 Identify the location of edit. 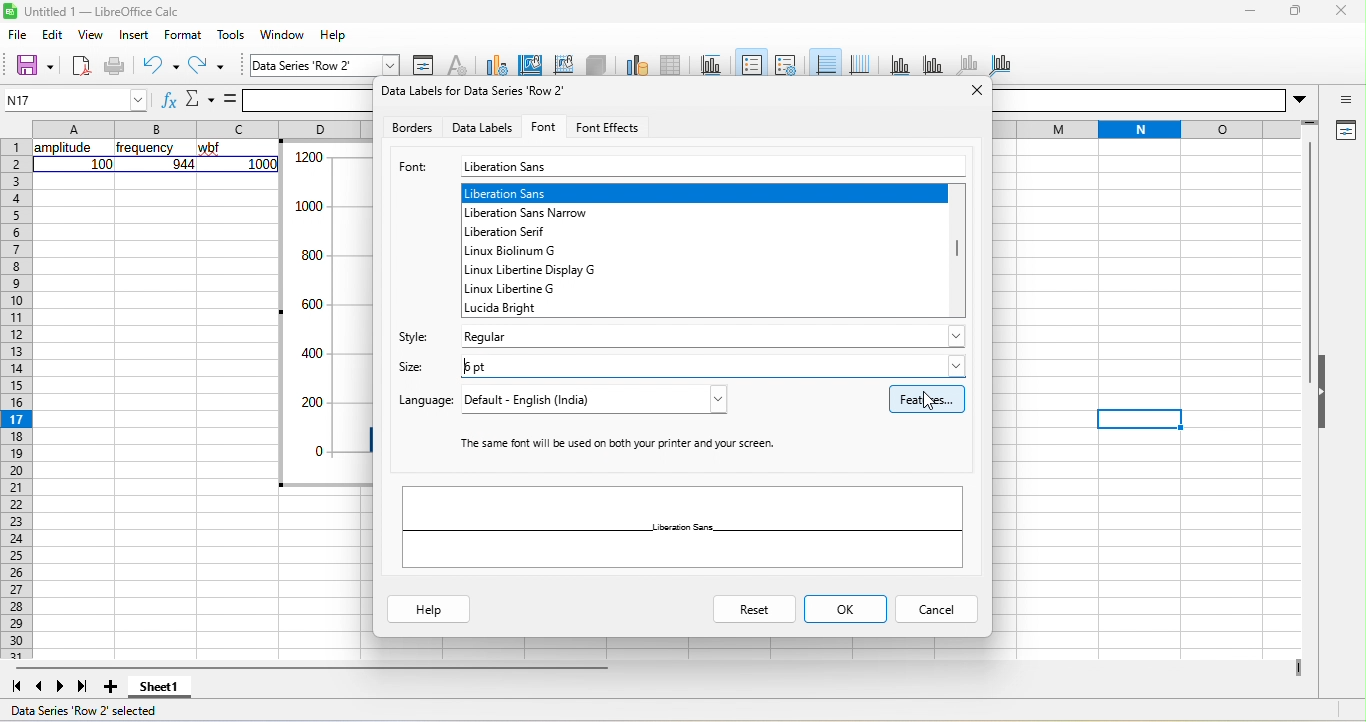
(53, 36).